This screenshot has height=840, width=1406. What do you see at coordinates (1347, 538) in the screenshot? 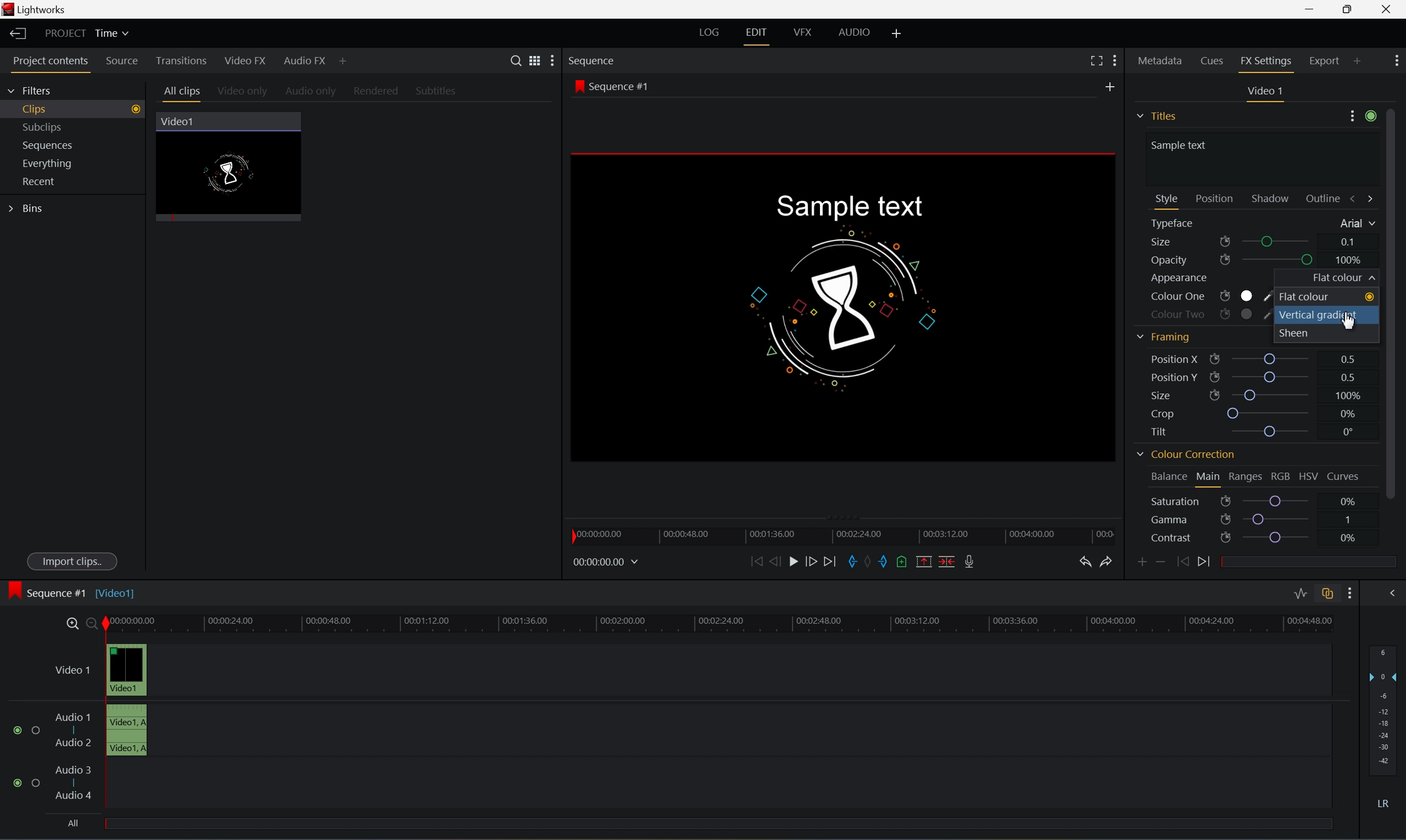
I see `0%` at bounding box center [1347, 538].